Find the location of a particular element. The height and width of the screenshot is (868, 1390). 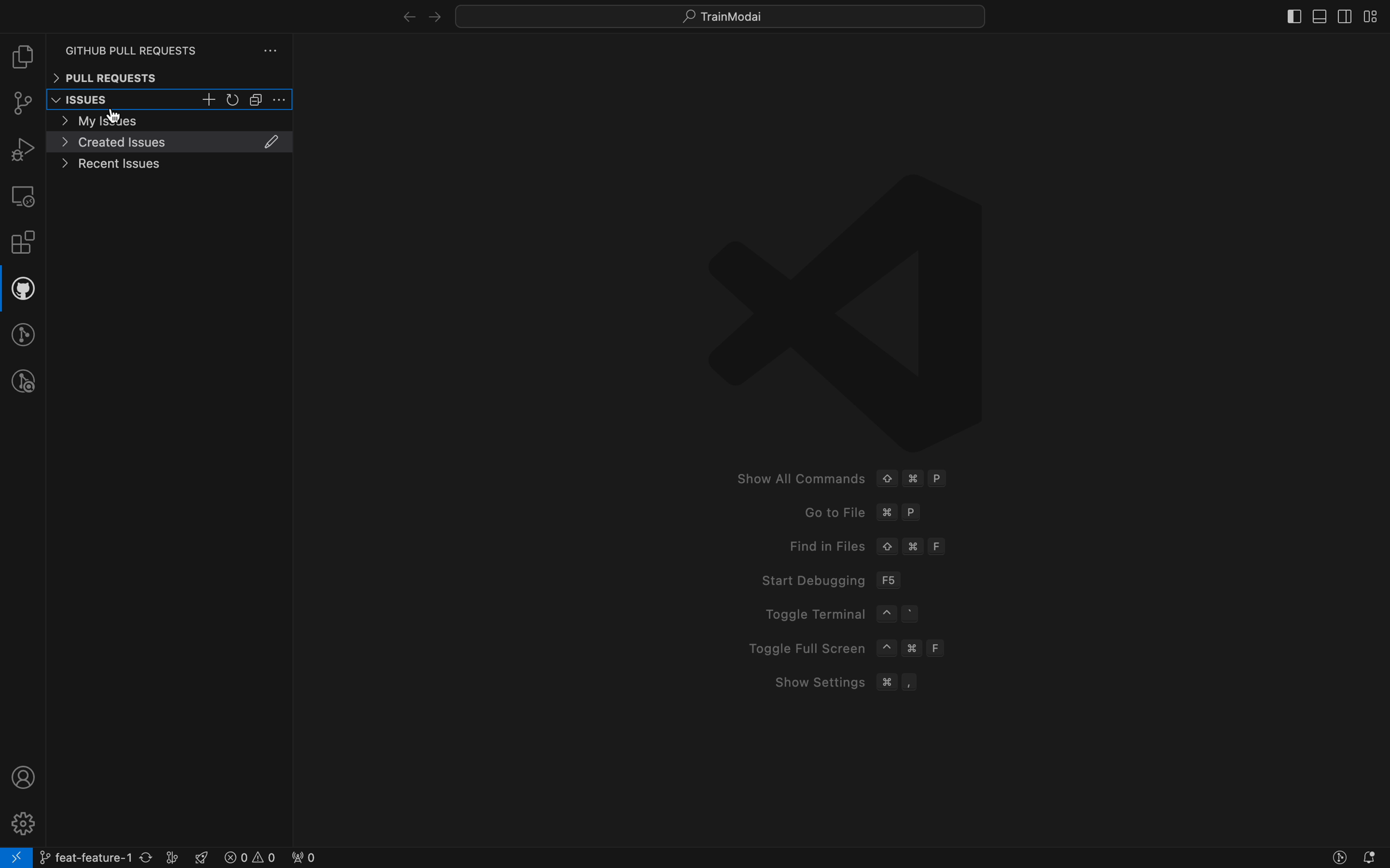

debugger is located at coordinates (22, 149).